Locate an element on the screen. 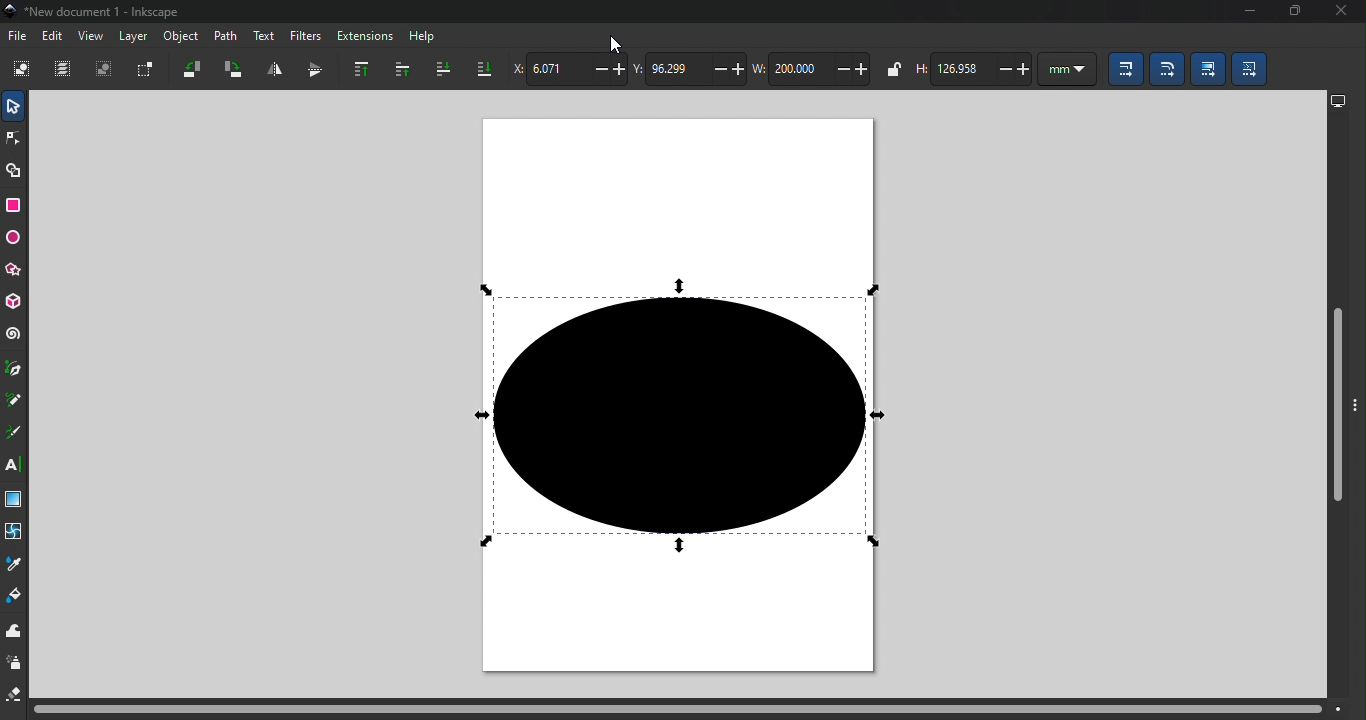 This screenshot has height=720, width=1366. when locked, change width and height by same proportion is located at coordinates (891, 69).